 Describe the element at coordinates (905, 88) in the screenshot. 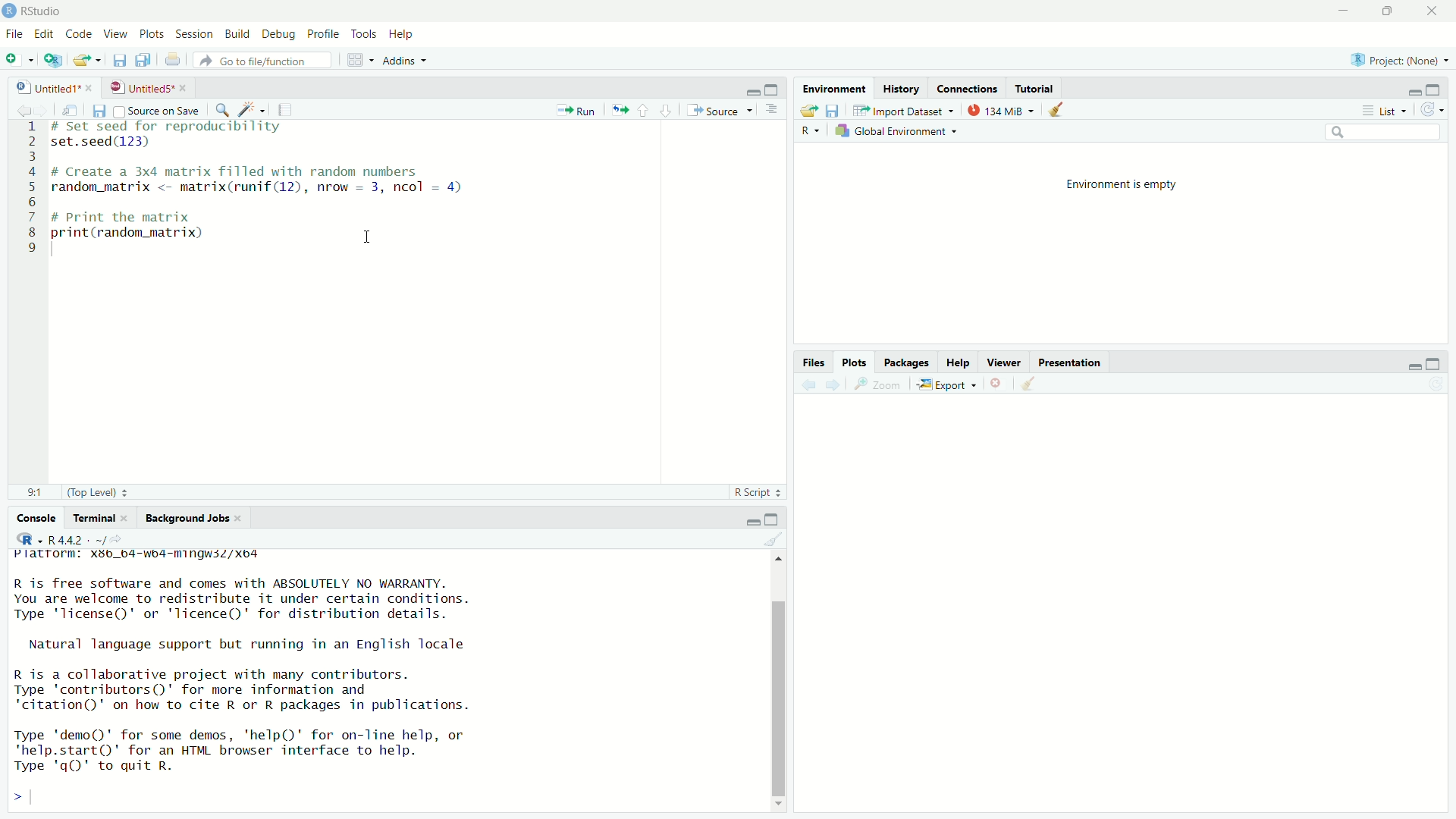

I see `History` at that location.